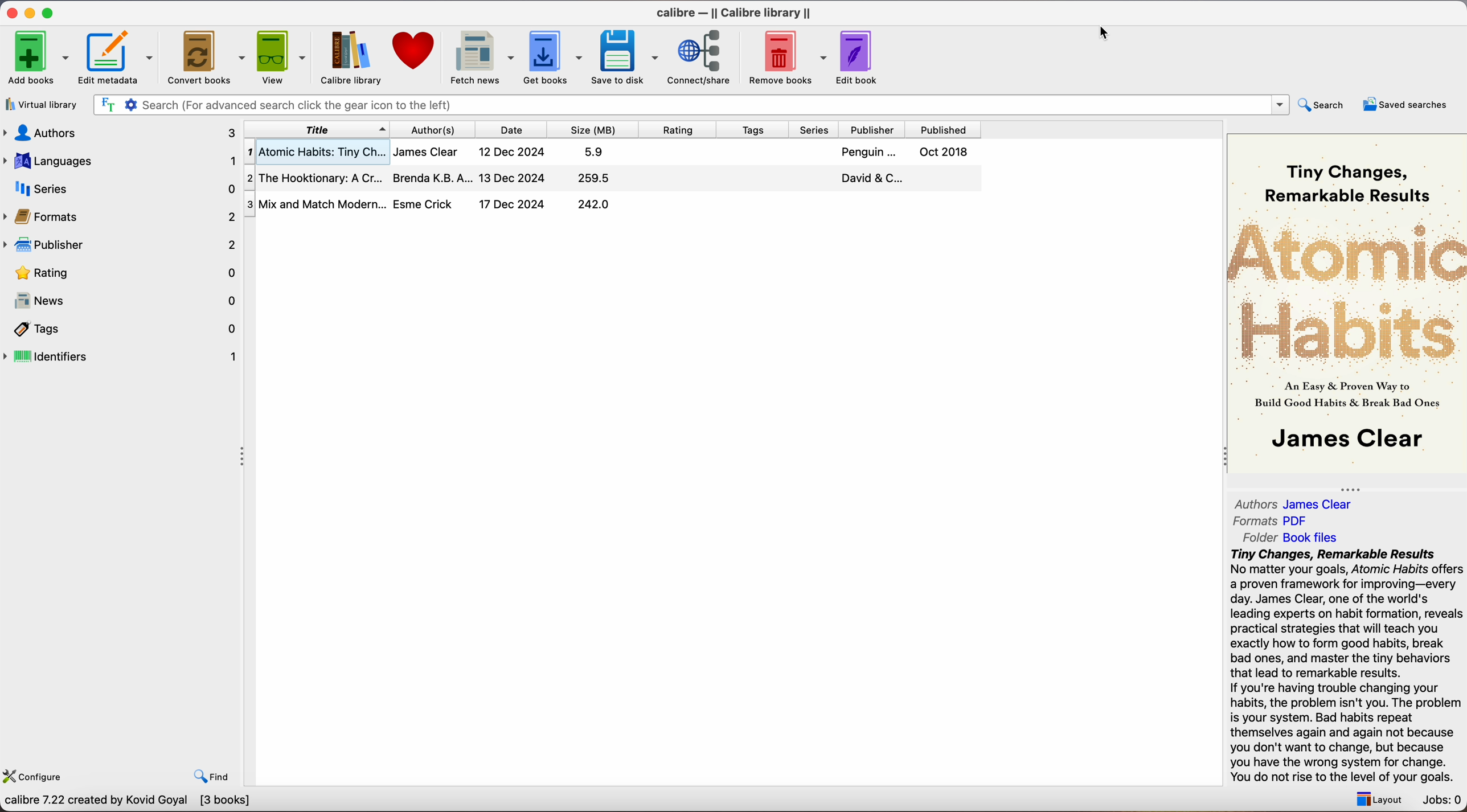 The height and width of the screenshot is (812, 1467). Describe the element at coordinates (554, 60) in the screenshot. I see `click on get books` at that location.